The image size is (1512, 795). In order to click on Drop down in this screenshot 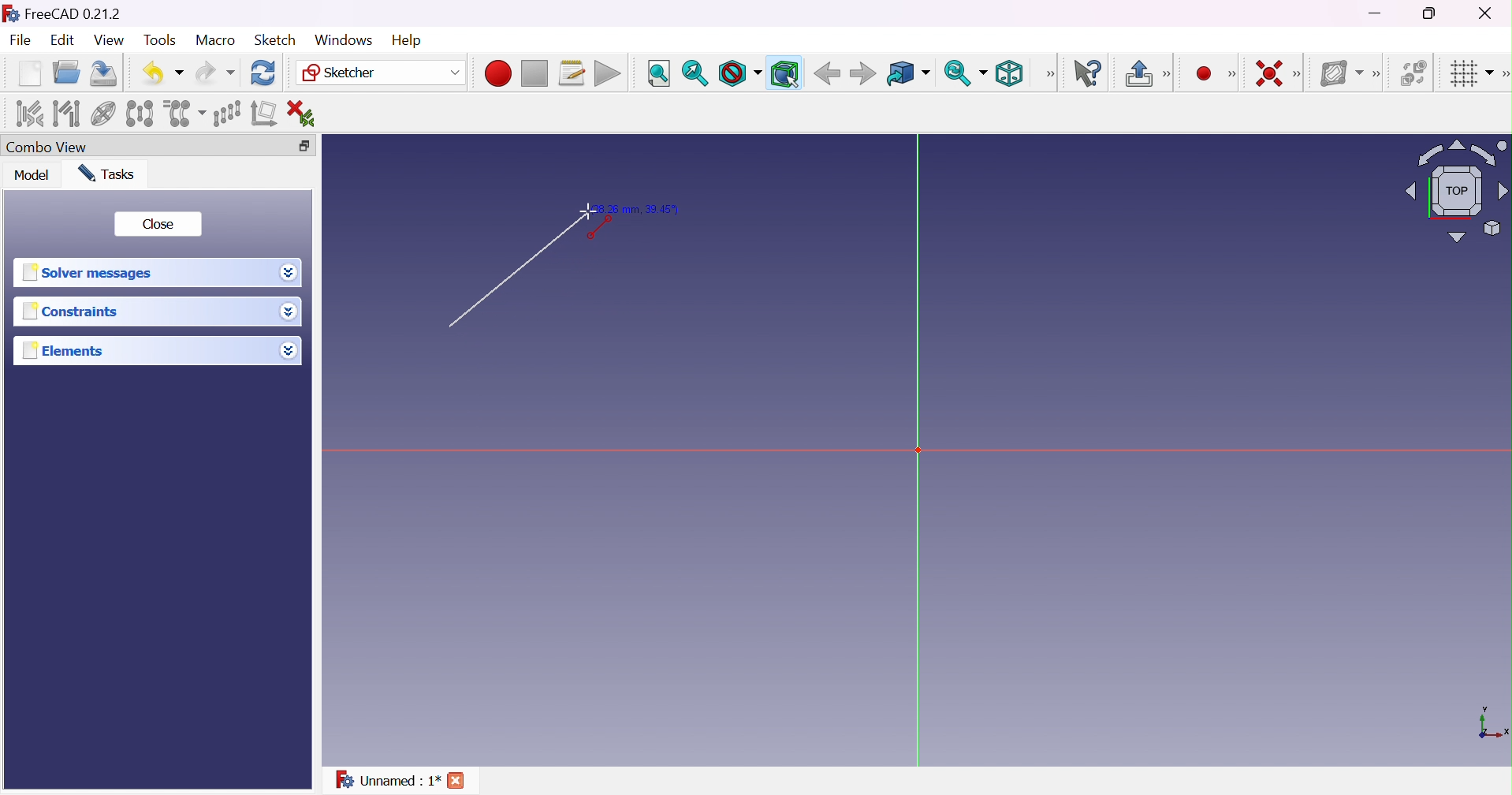, I will do `click(289, 273)`.